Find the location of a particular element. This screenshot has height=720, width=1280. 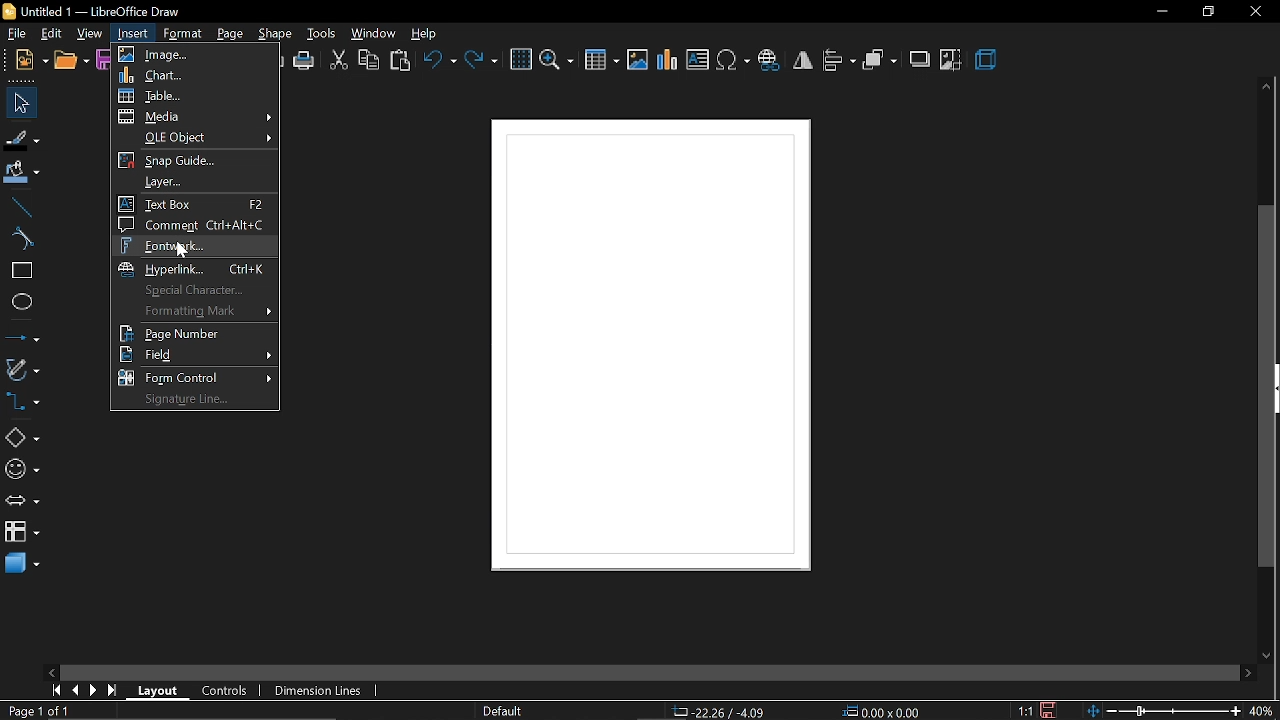

layout is located at coordinates (156, 690).